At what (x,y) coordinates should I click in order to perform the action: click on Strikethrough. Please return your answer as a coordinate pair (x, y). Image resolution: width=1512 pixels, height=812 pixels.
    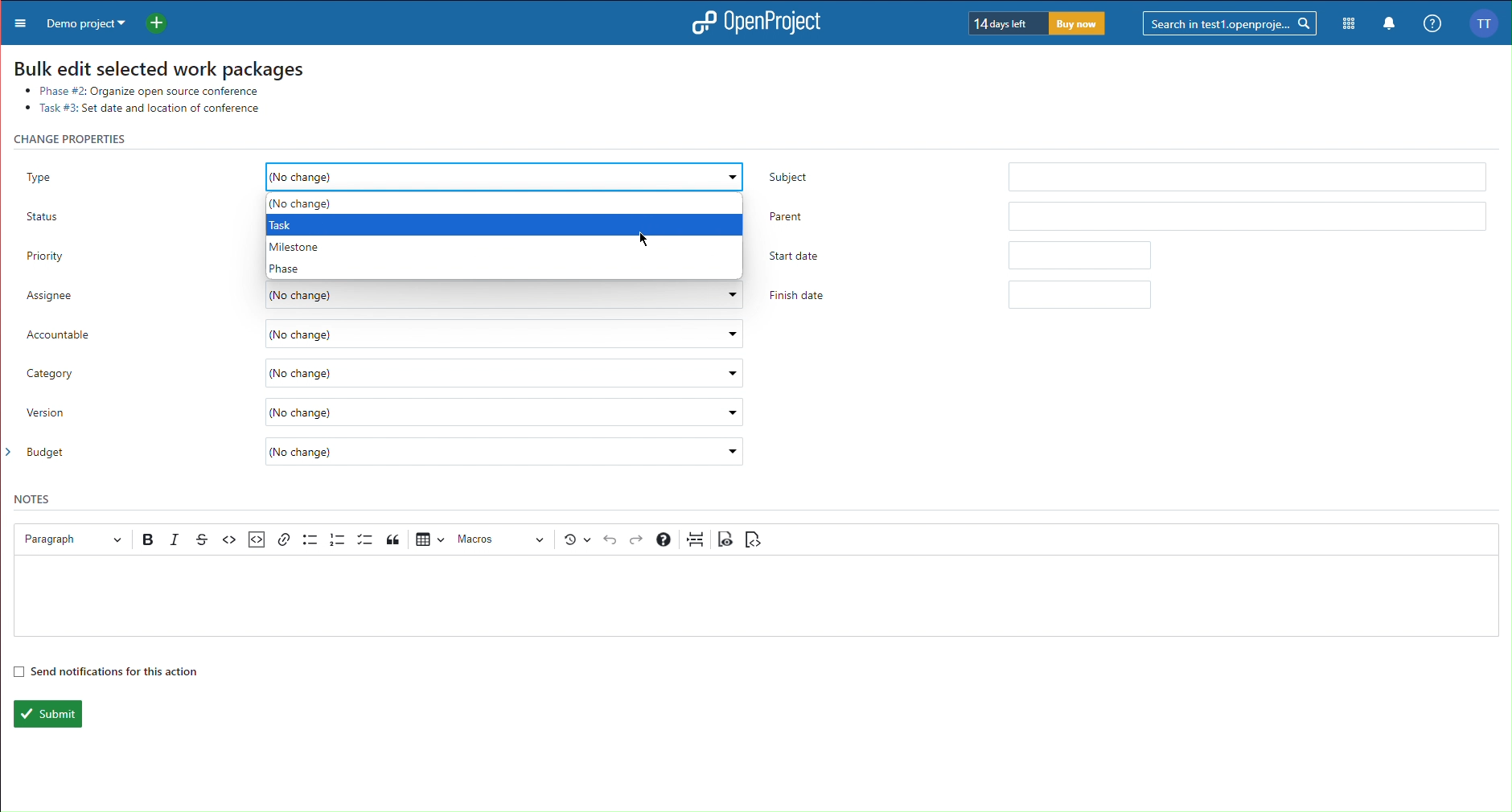
    Looking at the image, I should click on (202, 539).